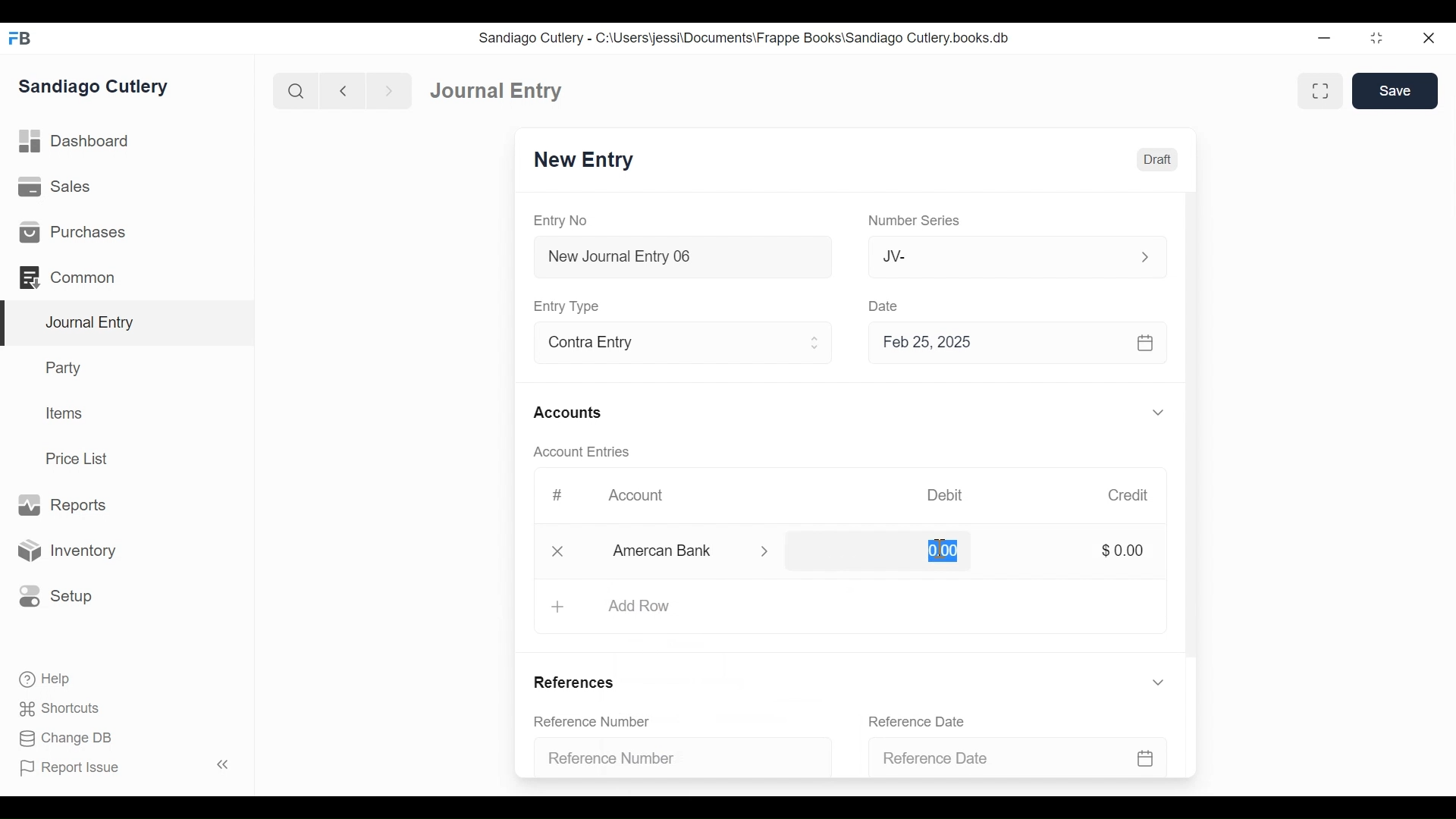  Describe the element at coordinates (127, 767) in the screenshot. I see `Report Issue` at that location.